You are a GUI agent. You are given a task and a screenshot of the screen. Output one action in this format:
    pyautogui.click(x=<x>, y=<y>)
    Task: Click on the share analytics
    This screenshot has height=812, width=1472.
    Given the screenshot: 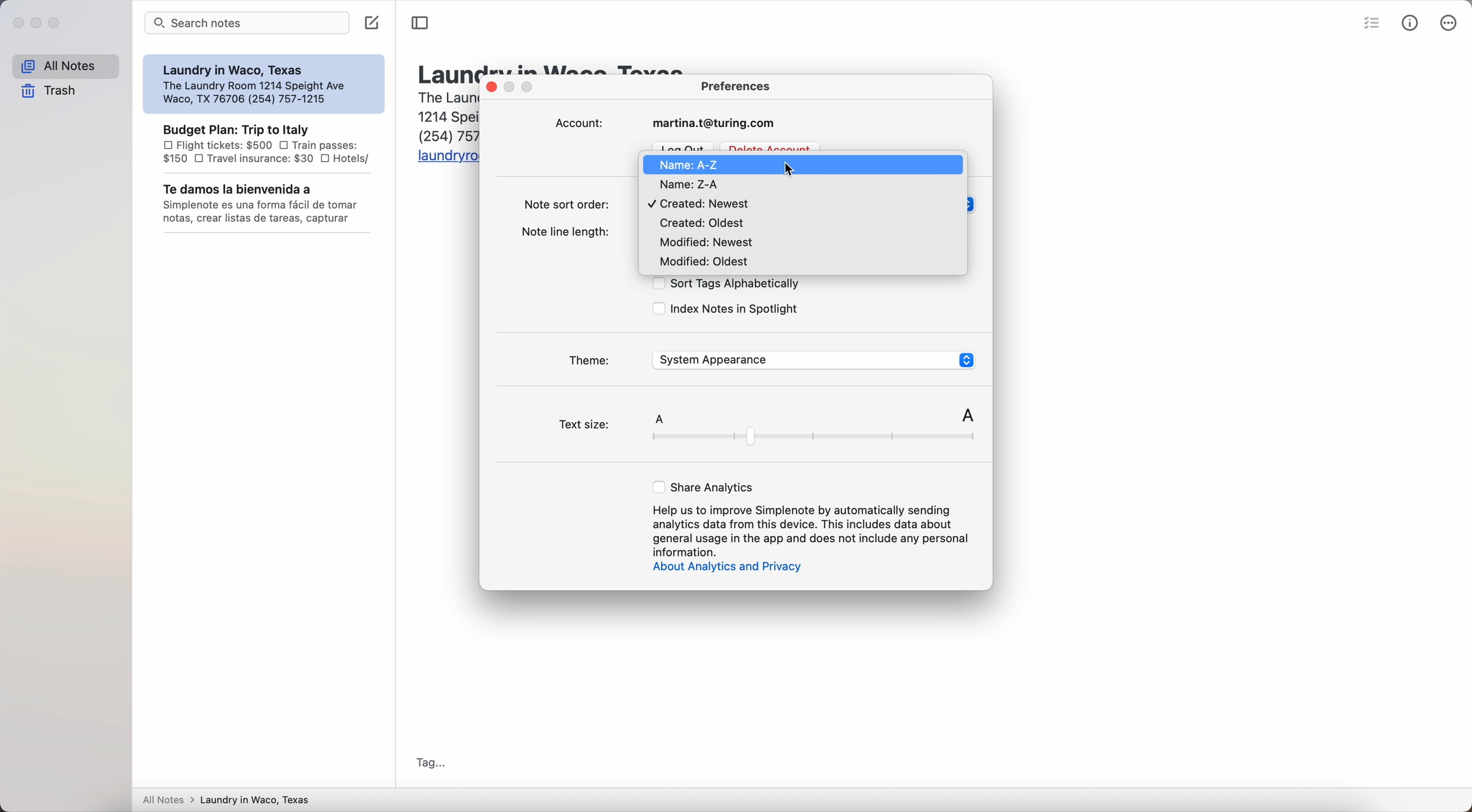 What is the action you would take?
    pyautogui.click(x=705, y=487)
    